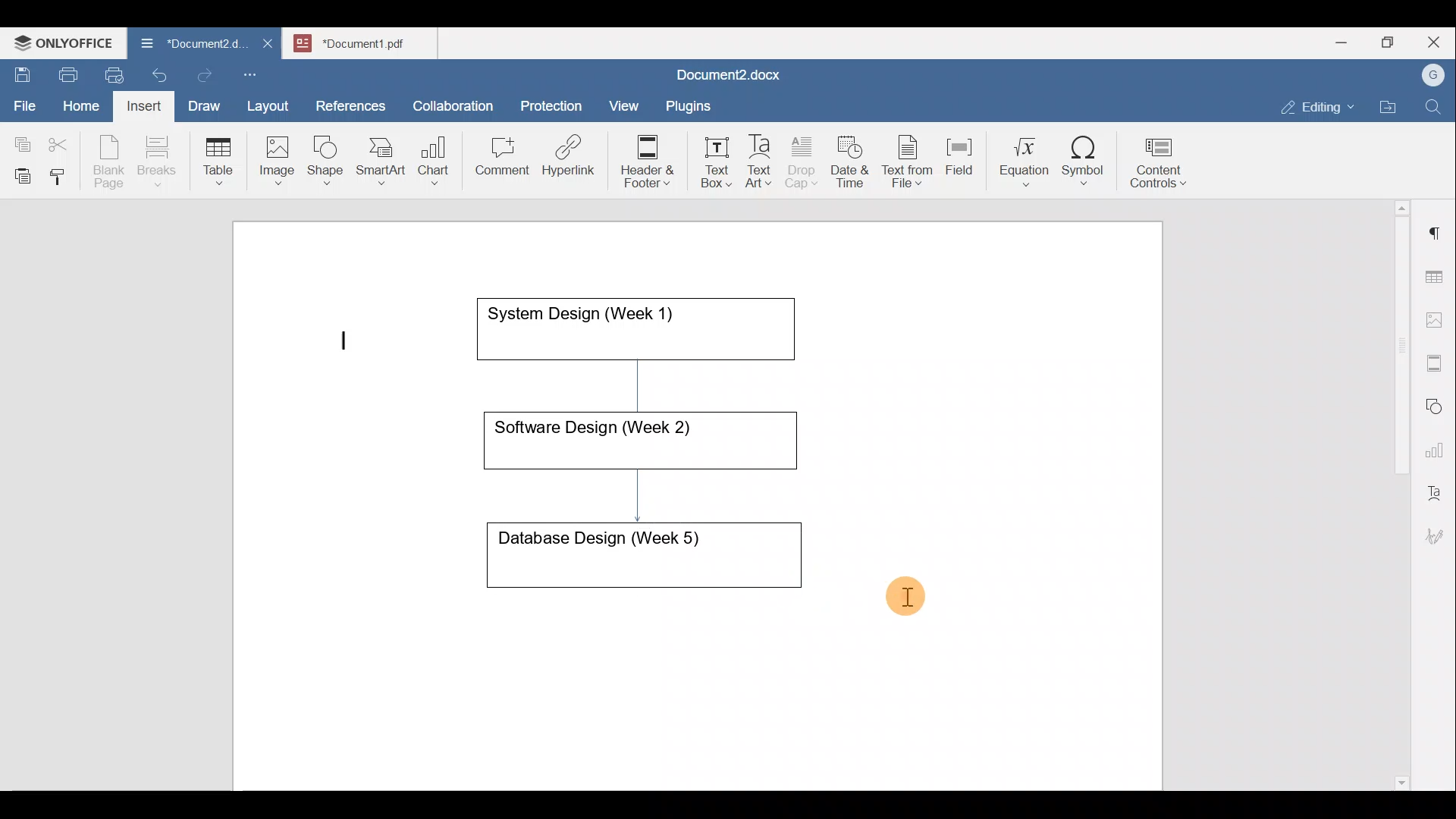 The width and height of the screenshot is (1456, 819). I want to click on Field, so click(959, 154).